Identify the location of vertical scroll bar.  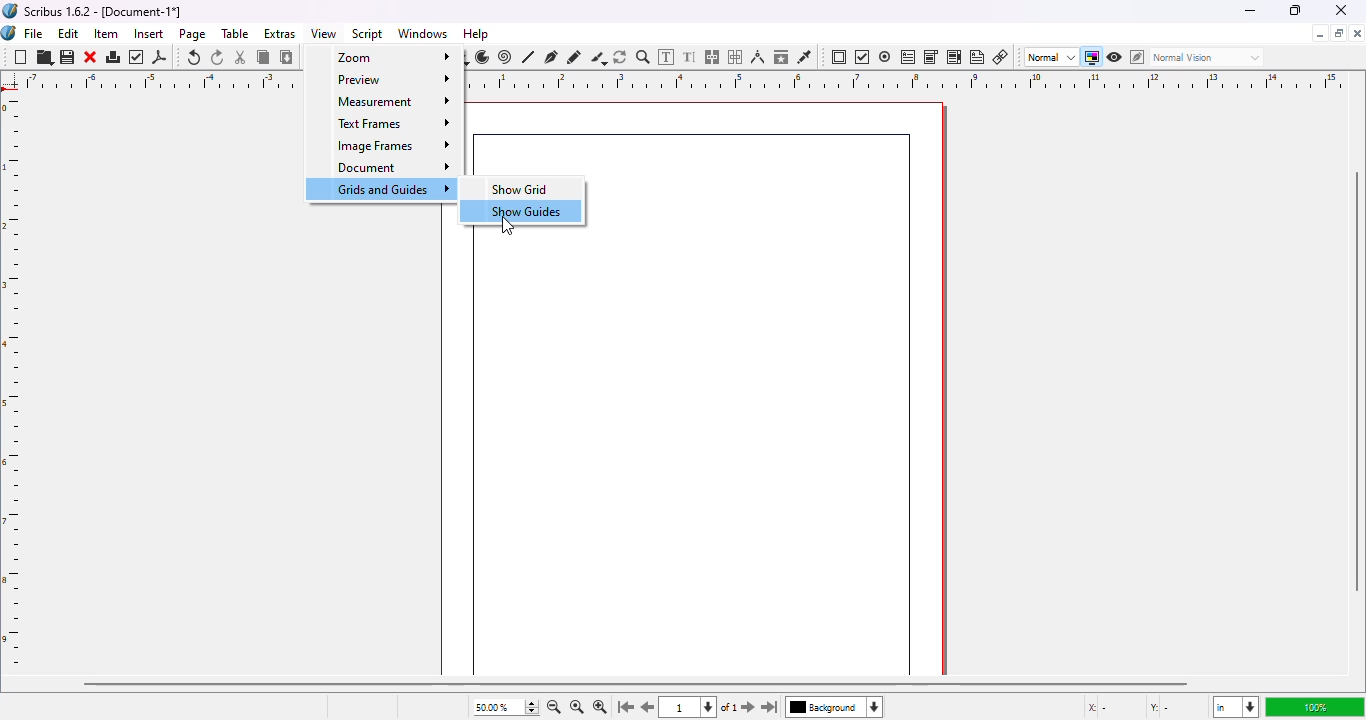
(1357, 383).